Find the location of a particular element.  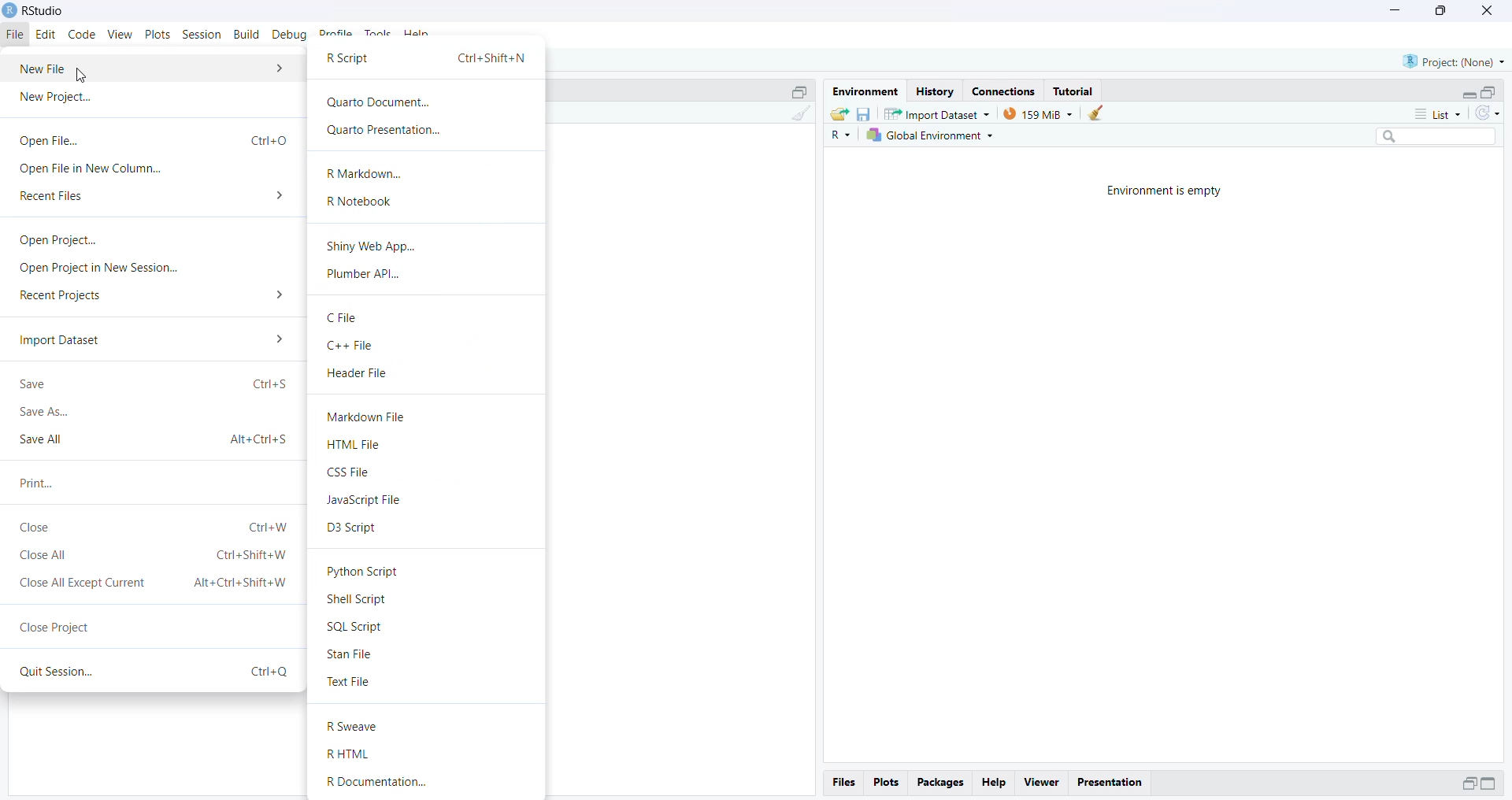

refresh list is located at coordinates (1487, 114).